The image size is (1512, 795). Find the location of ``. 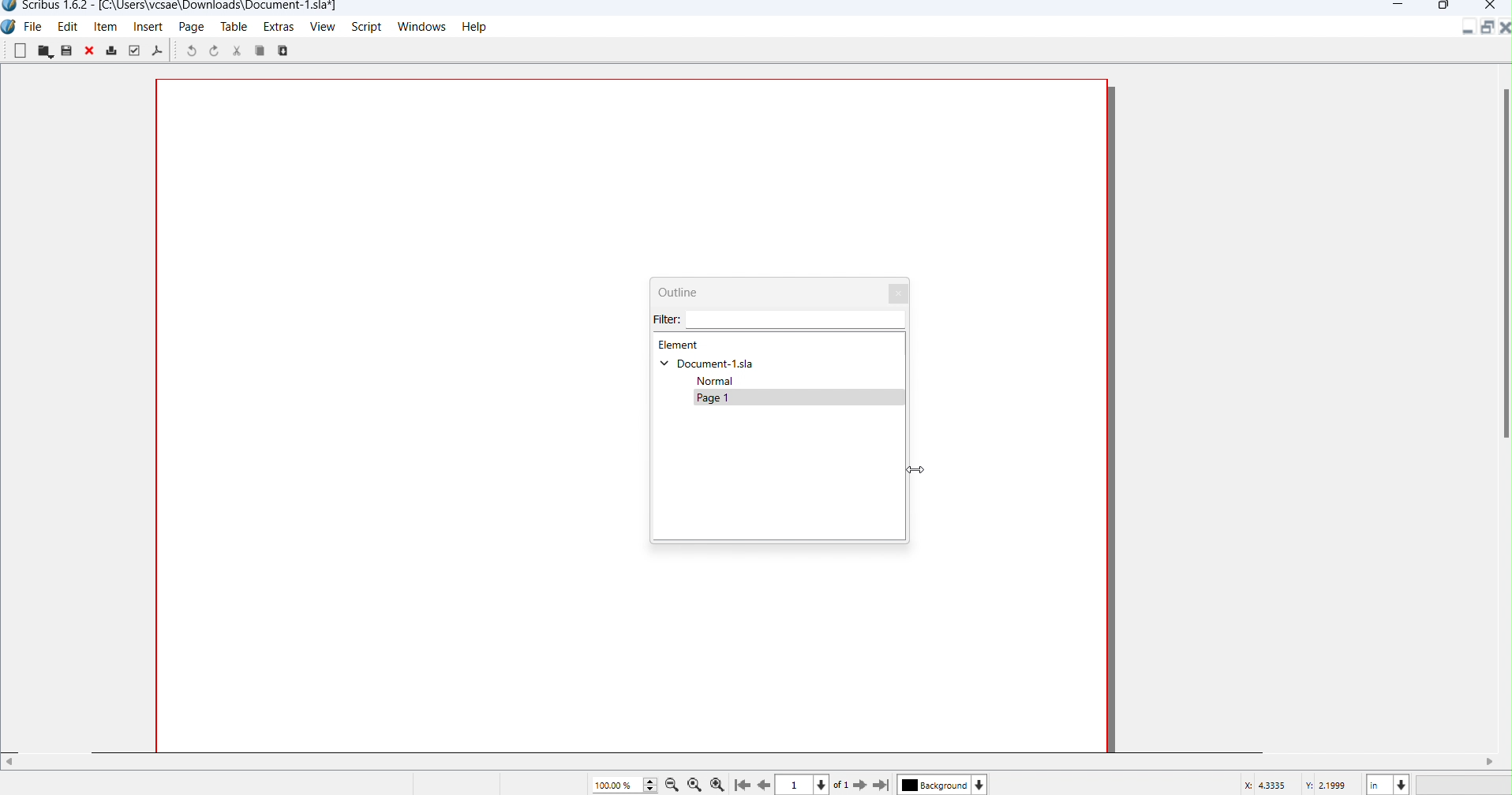

 is located at coordinates (283, 28).